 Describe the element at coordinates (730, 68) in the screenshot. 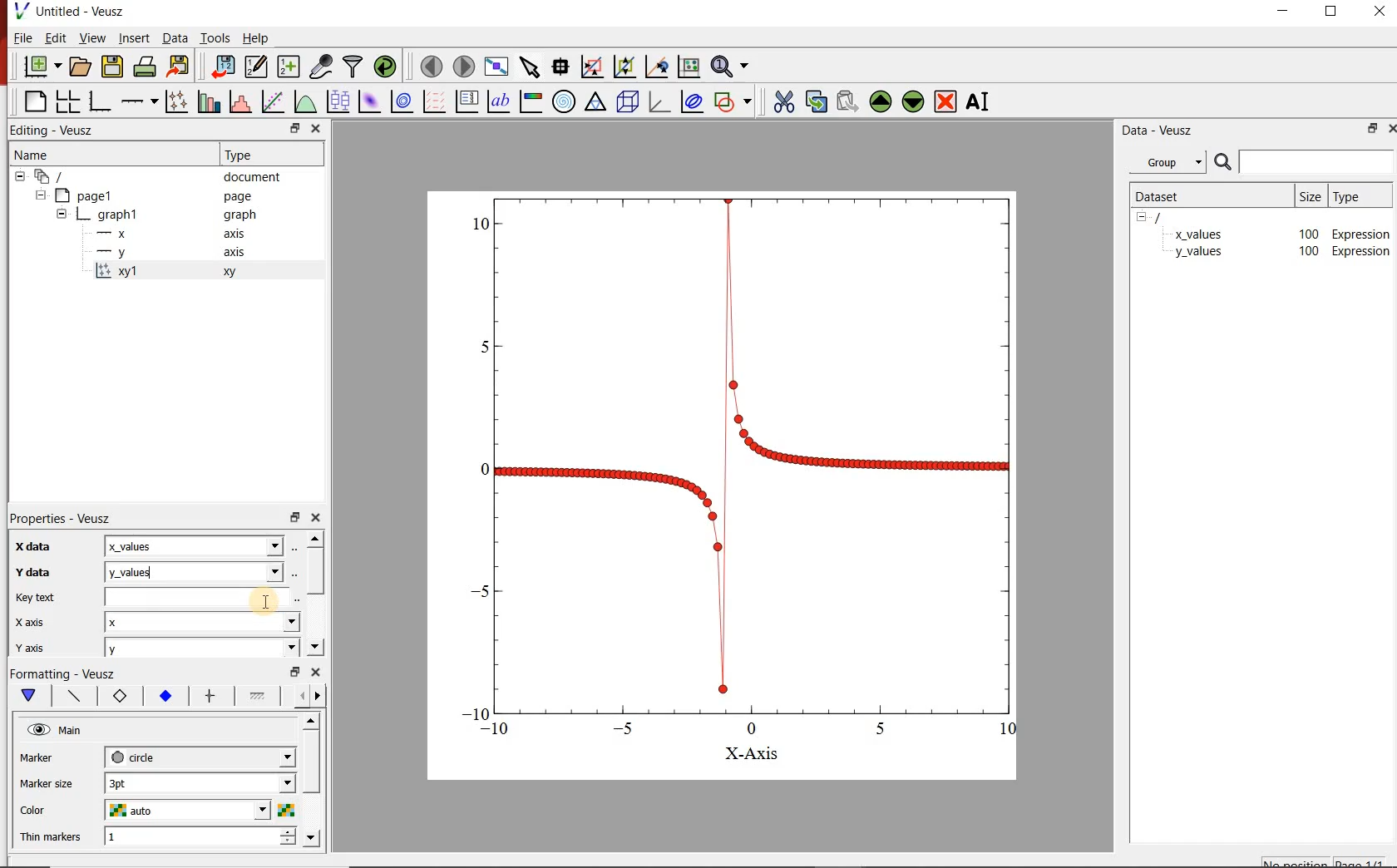

I see `zoom functions menu` at that location.